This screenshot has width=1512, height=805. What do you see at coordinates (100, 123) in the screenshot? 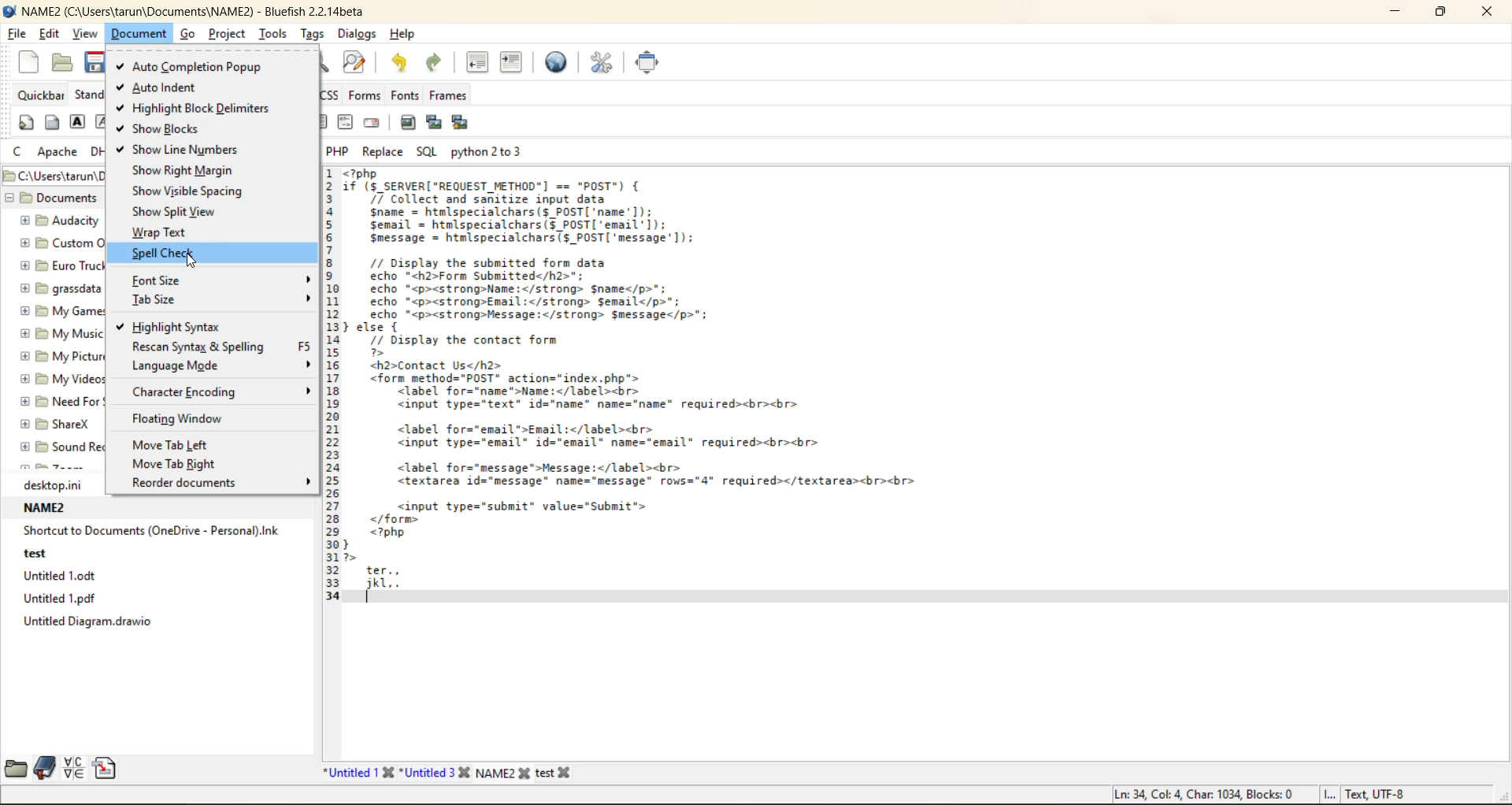
I see `emphasis` at bounding box center [100, 123].